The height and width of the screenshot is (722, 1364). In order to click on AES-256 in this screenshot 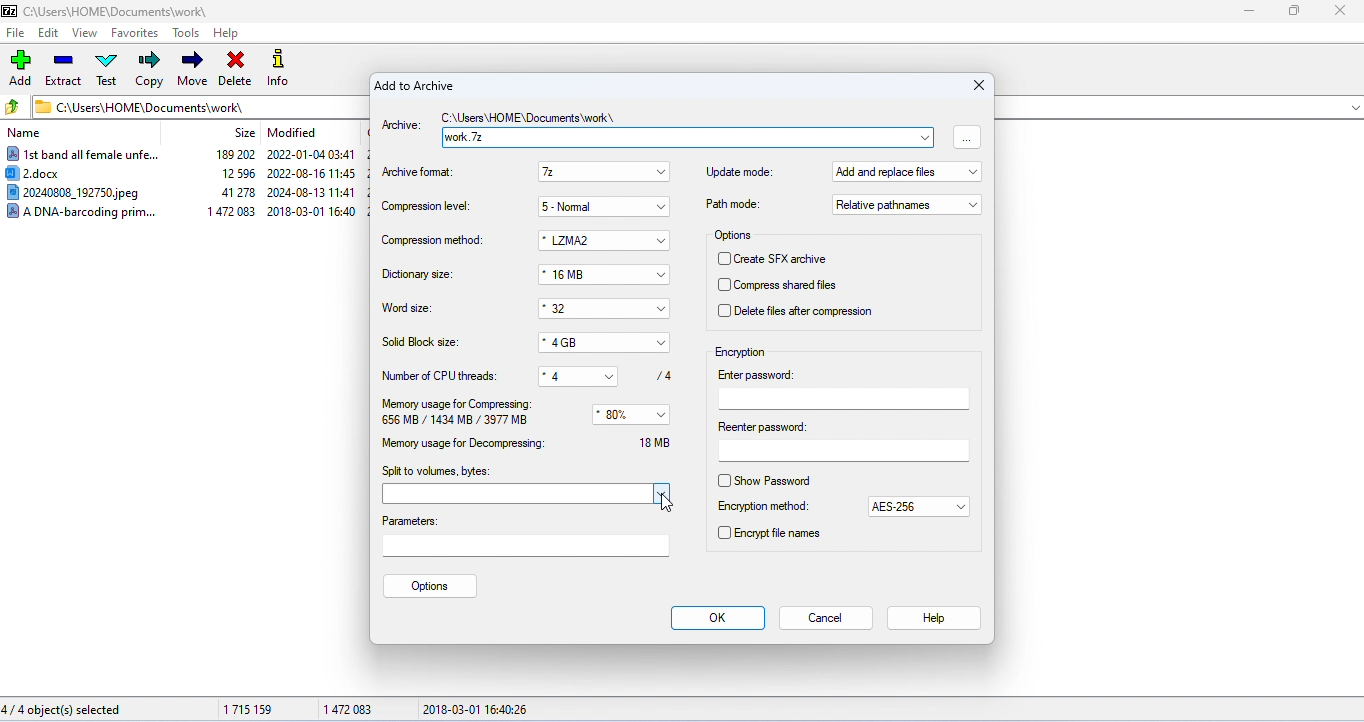, I will do `click(907, 508)`.